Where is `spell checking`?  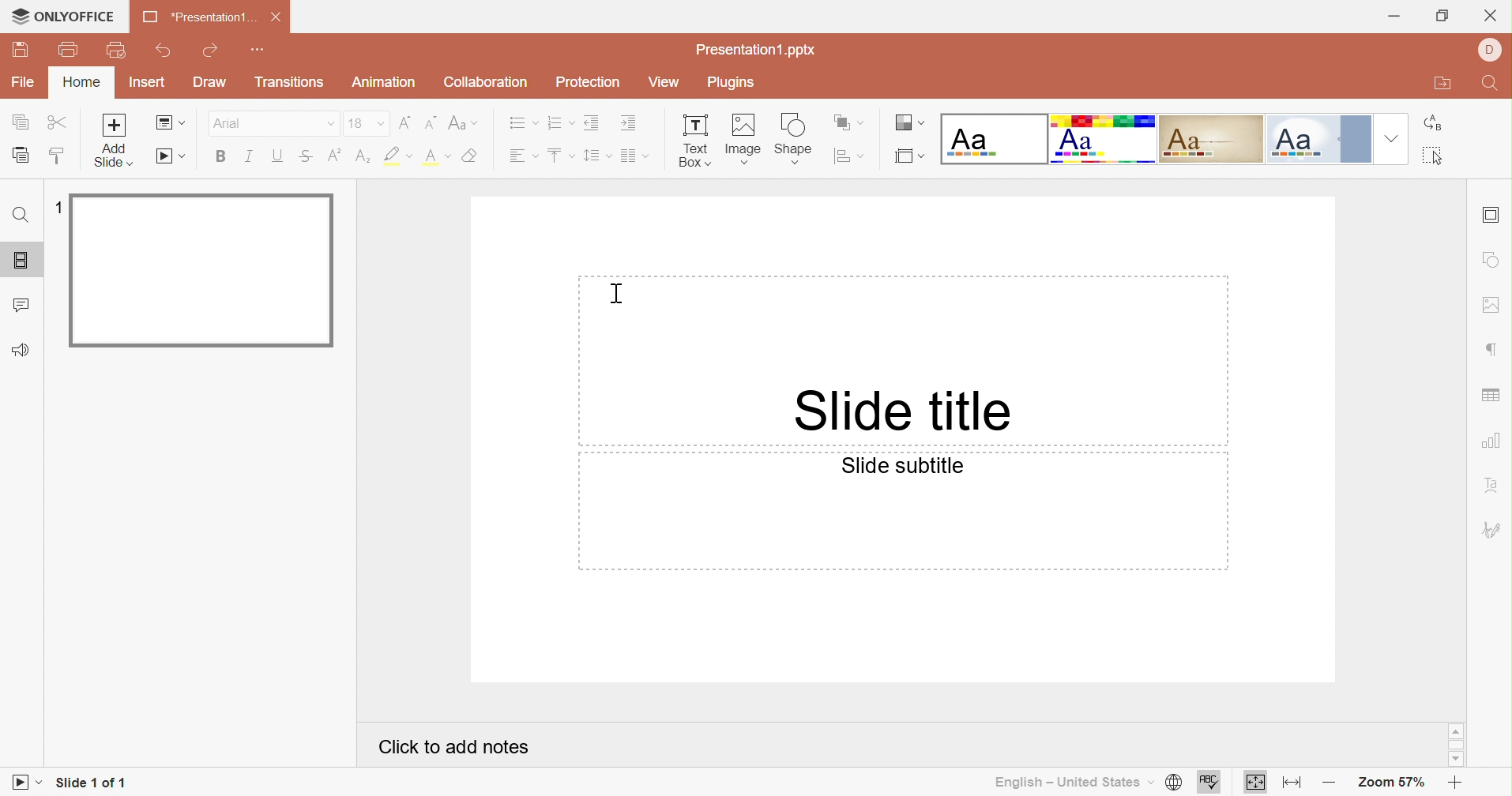
spell checking is located at coordinates (1214, 783).